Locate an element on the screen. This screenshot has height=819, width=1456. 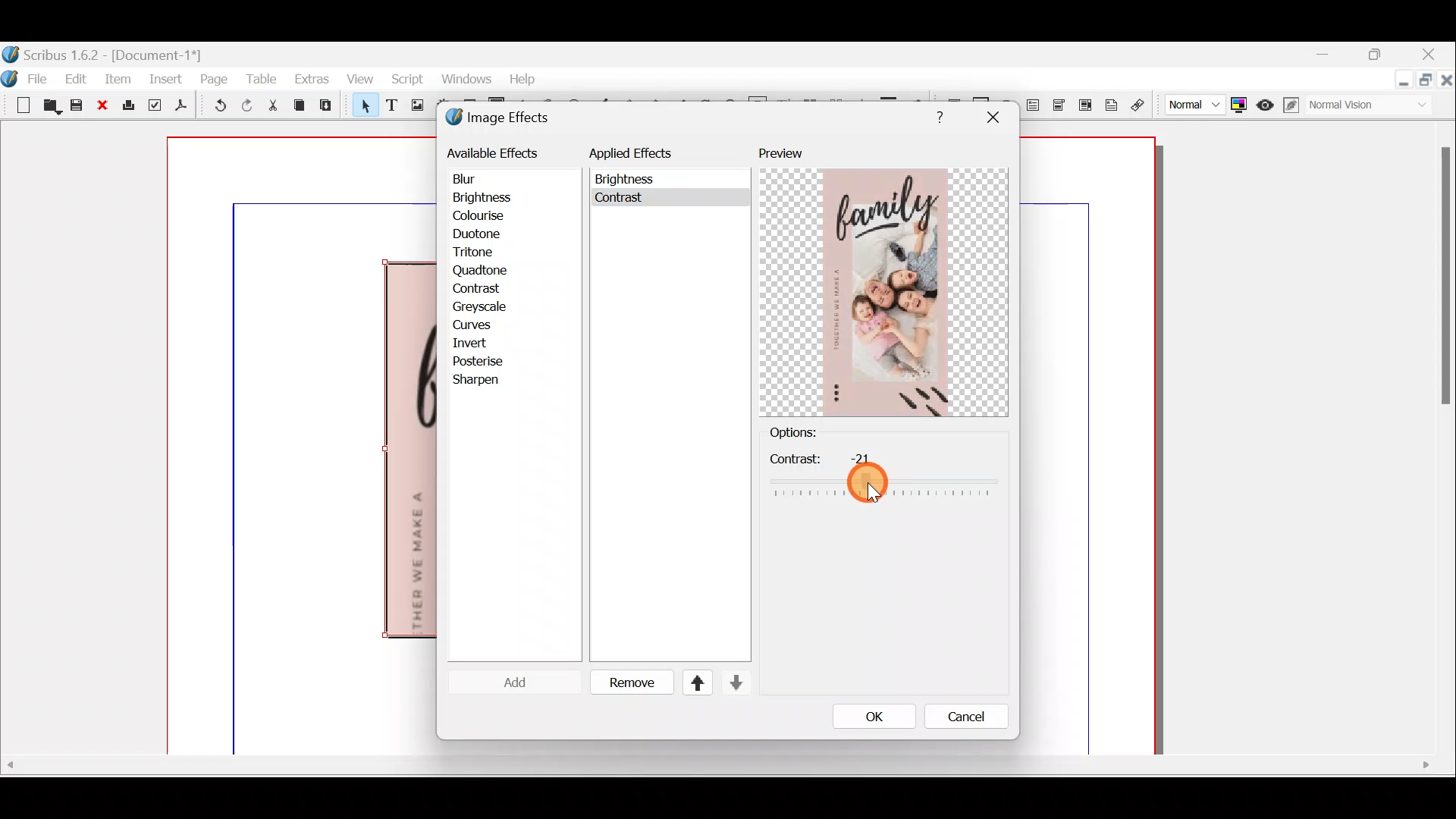
Brightness is located at coordinates (502, 196).